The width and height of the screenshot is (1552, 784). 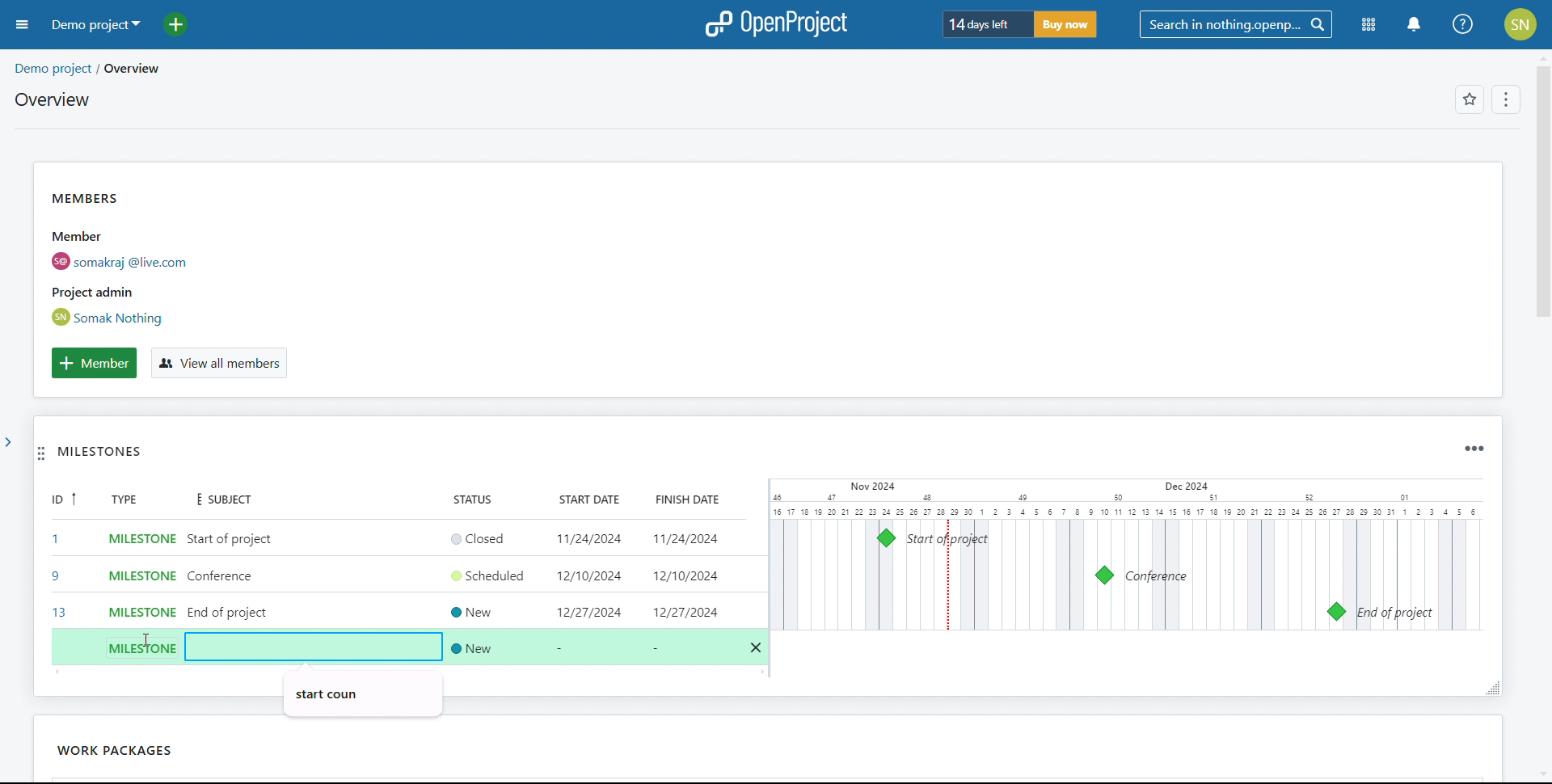 What do you see at coordinates (1488, 687) in the screenshot?
I see `resize widget` at bounding box center [1488, 687].